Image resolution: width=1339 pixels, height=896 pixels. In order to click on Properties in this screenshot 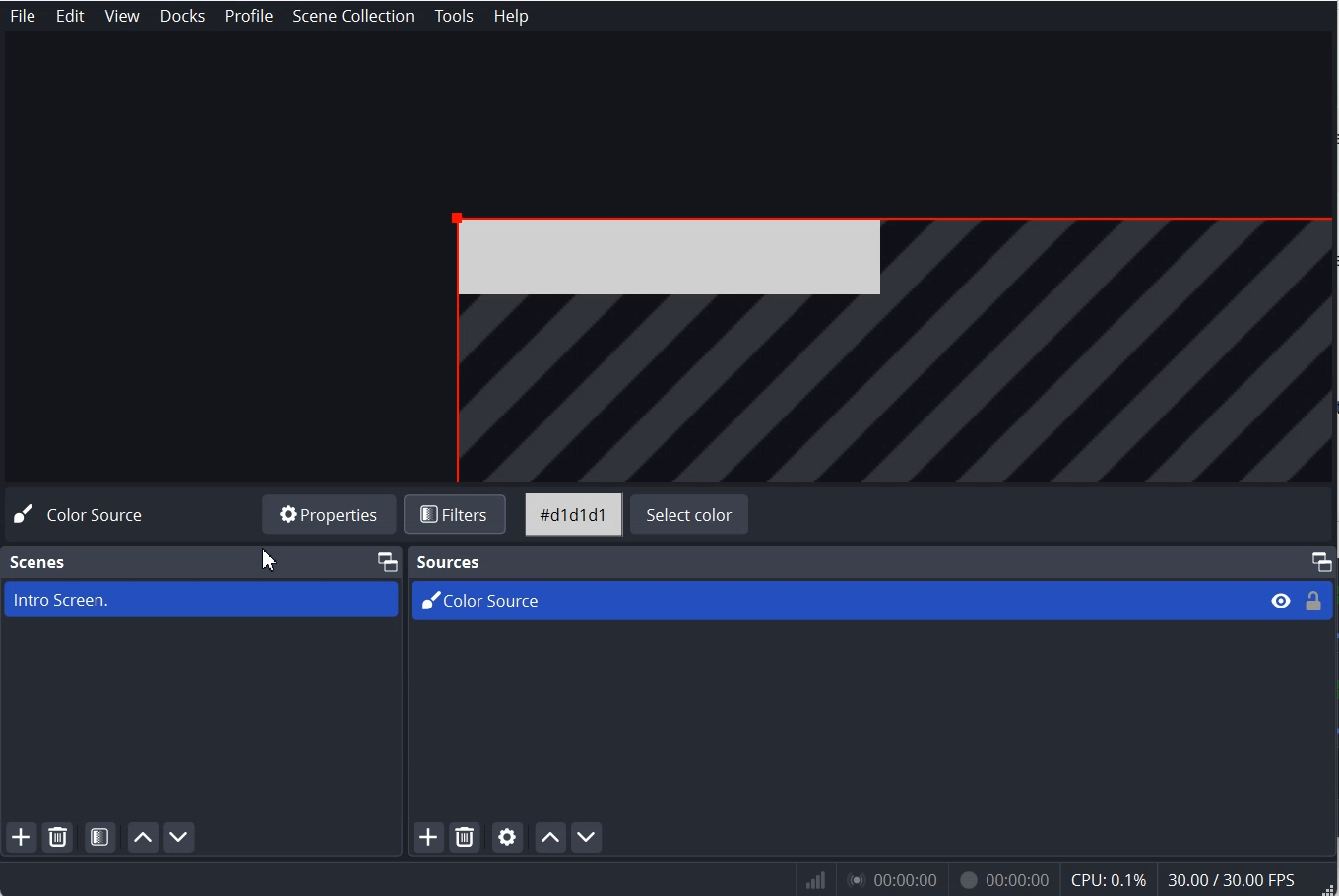, I will do `click(328, 514)`.